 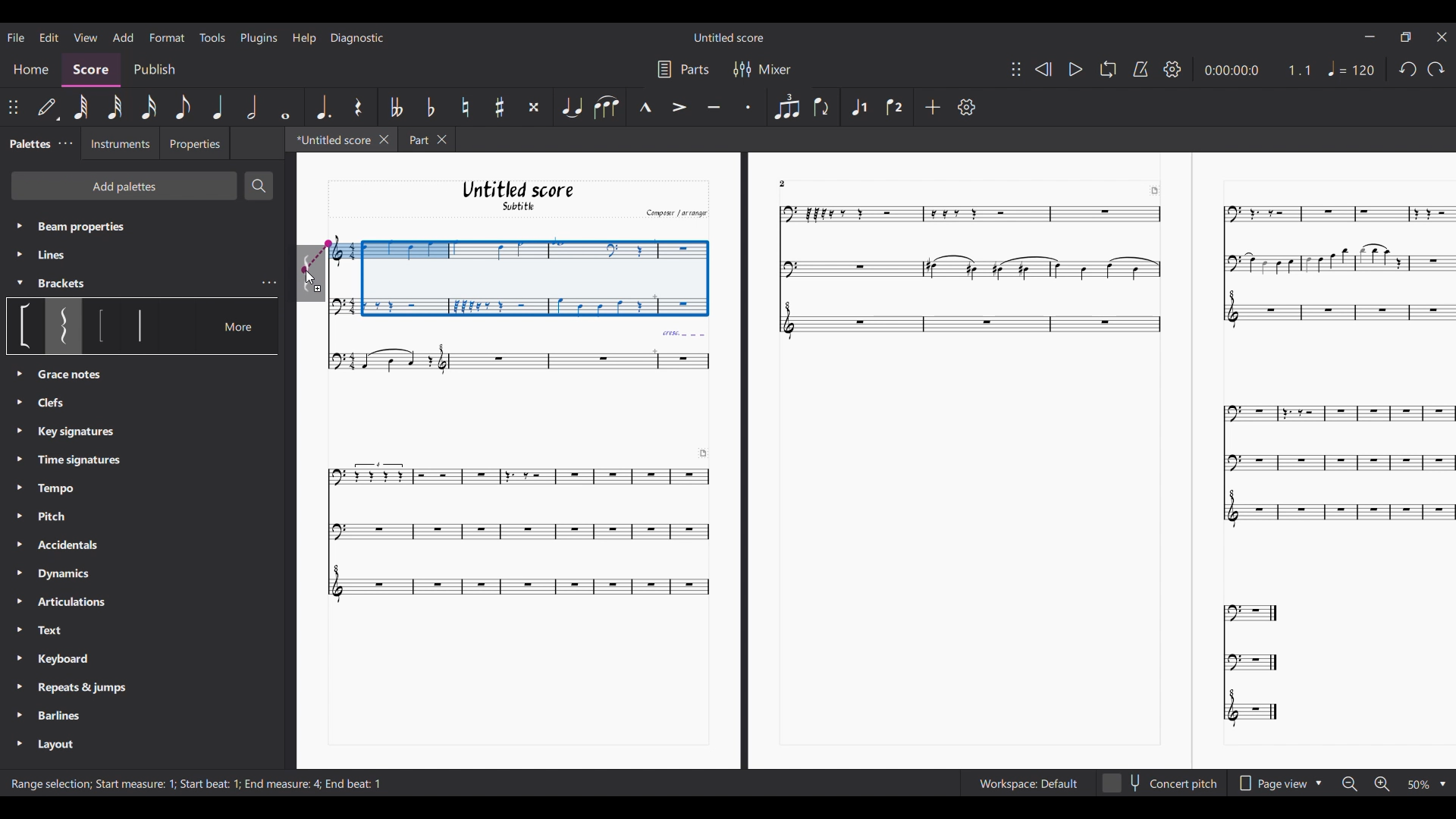 I want to click on Rewind, so click(x=1043, y=69).